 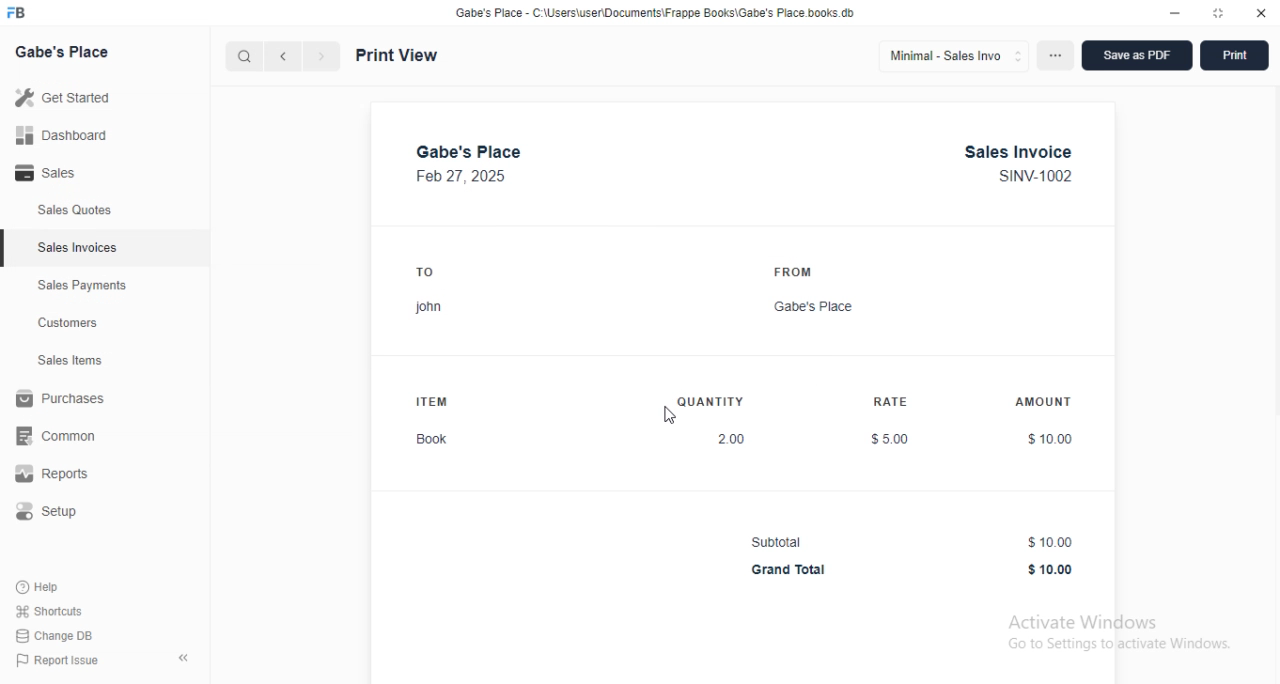 What do you see at coordinates (468, 152) in the screenshot?
I see `gabe's place` at bounding box center [468, 152].